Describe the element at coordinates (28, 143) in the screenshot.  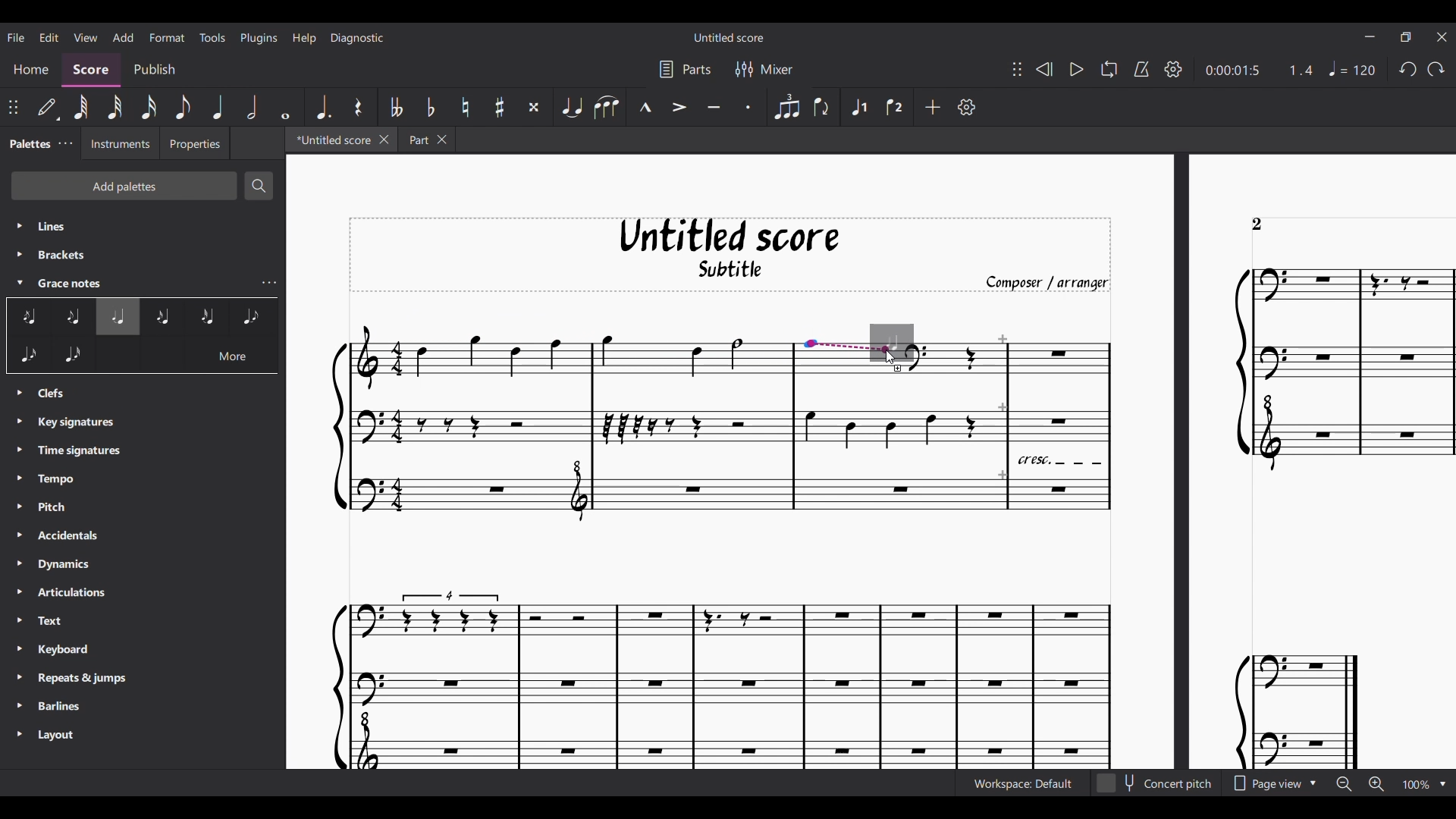
I see `Palette, current tab` at that location.